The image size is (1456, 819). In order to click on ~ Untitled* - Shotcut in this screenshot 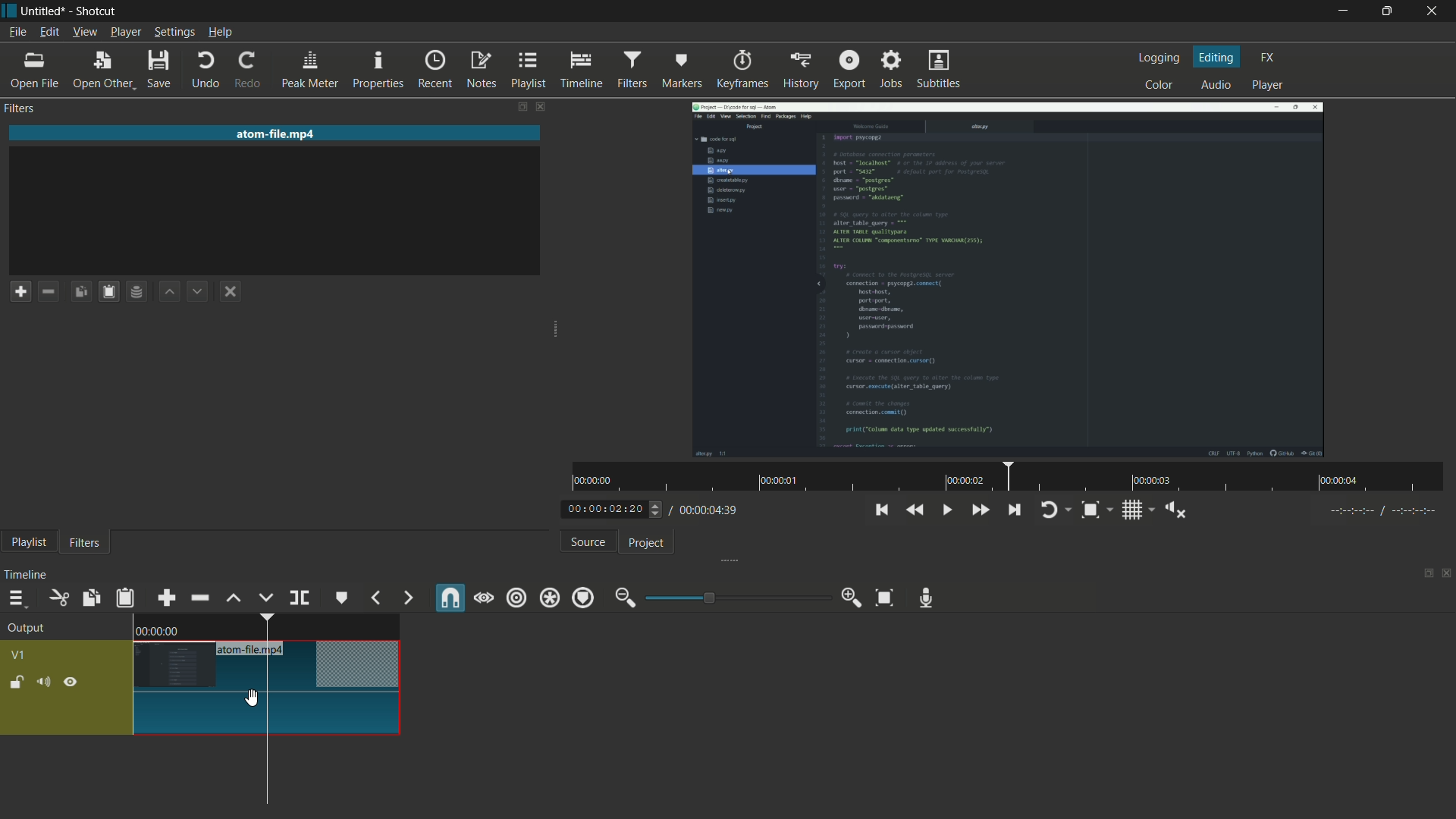, I will do `click(66, 11)`.